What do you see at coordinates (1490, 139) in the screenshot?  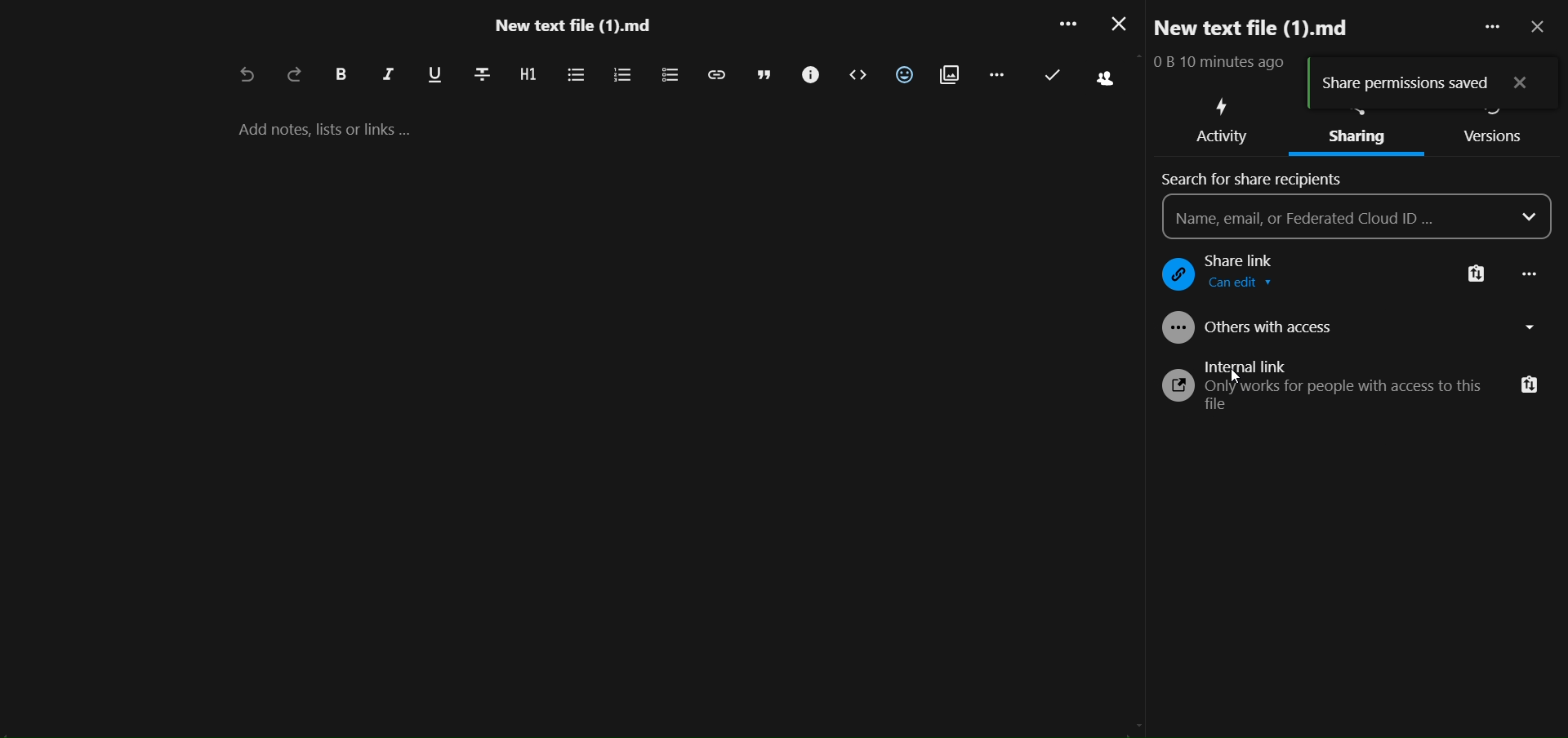 I see `version` at bounding box center [1490, 139].